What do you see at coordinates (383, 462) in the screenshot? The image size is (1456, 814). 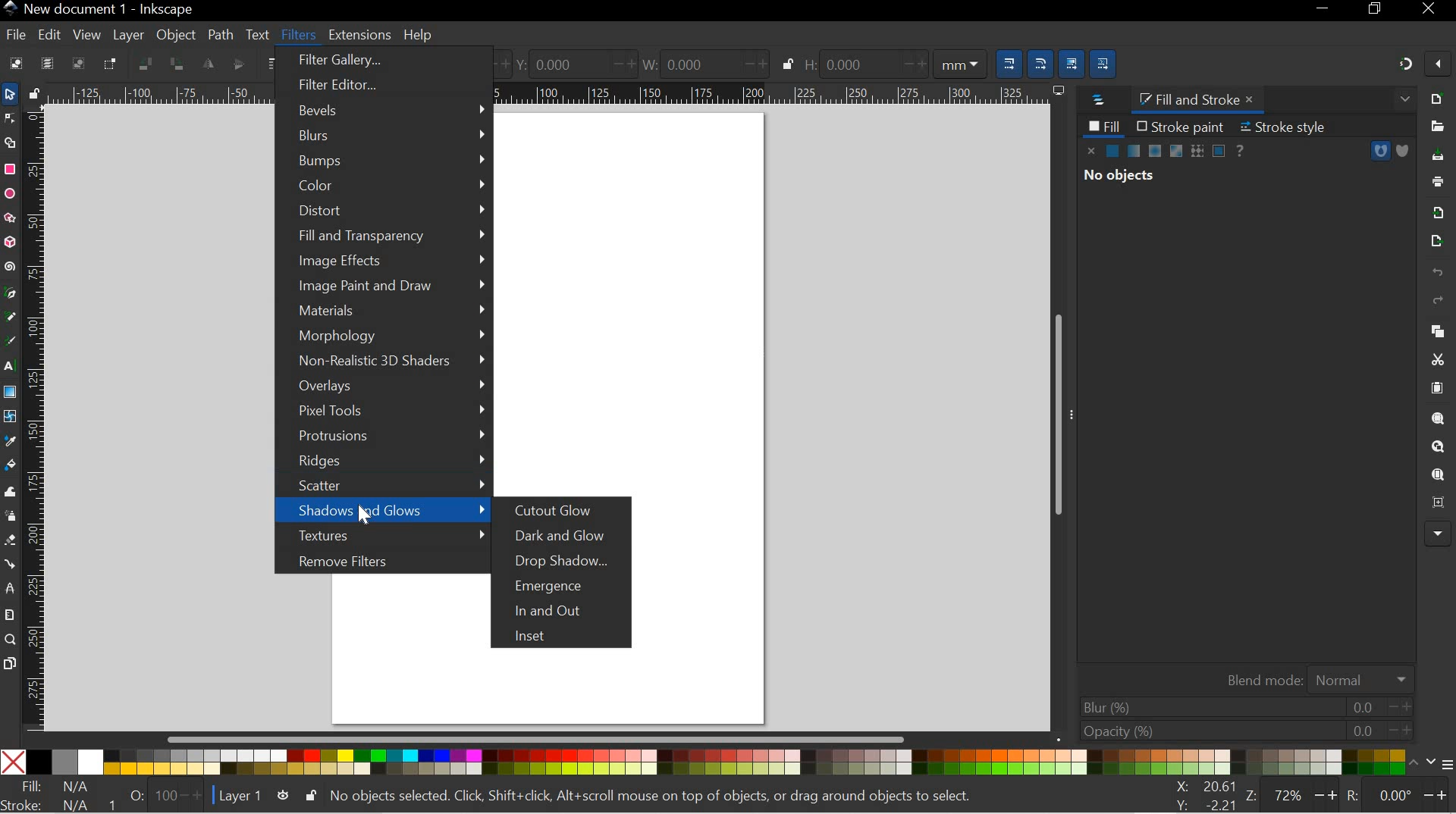 I see `RIDGES` at bounding box center [383, 462].